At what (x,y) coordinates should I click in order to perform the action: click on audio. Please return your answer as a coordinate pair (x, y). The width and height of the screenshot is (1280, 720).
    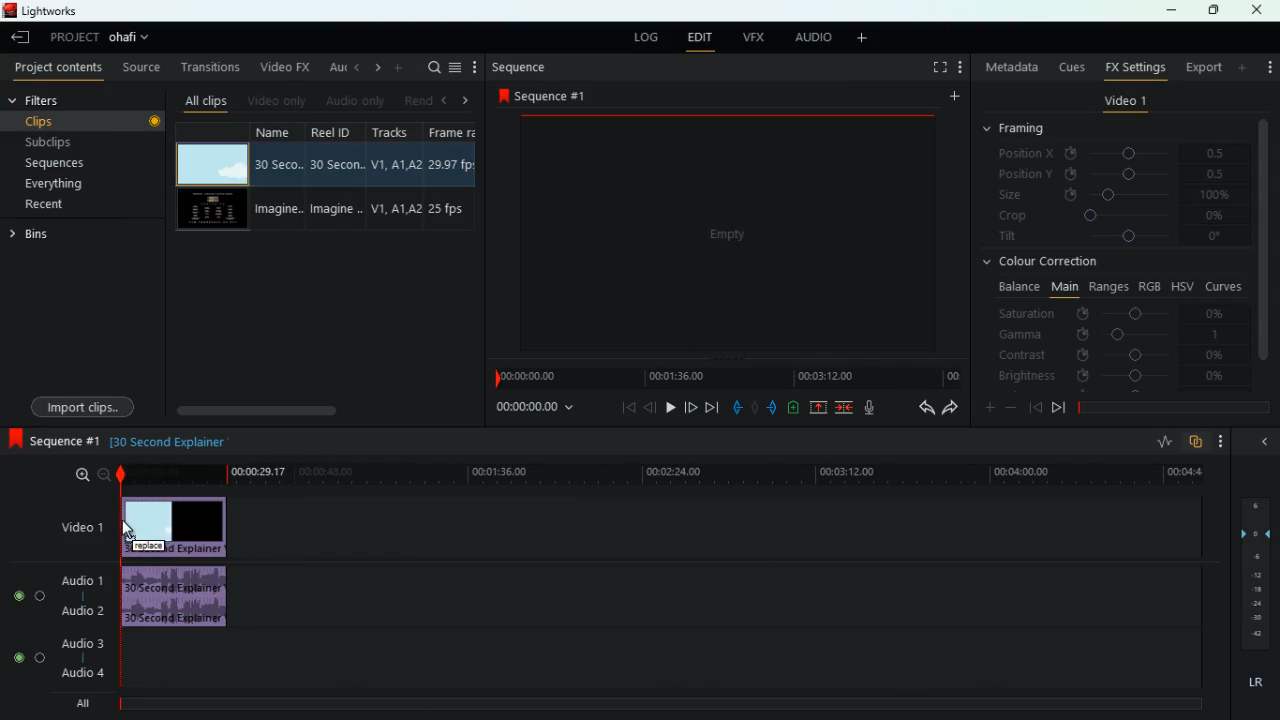
    Looking at the image, I should click on (180, 599).